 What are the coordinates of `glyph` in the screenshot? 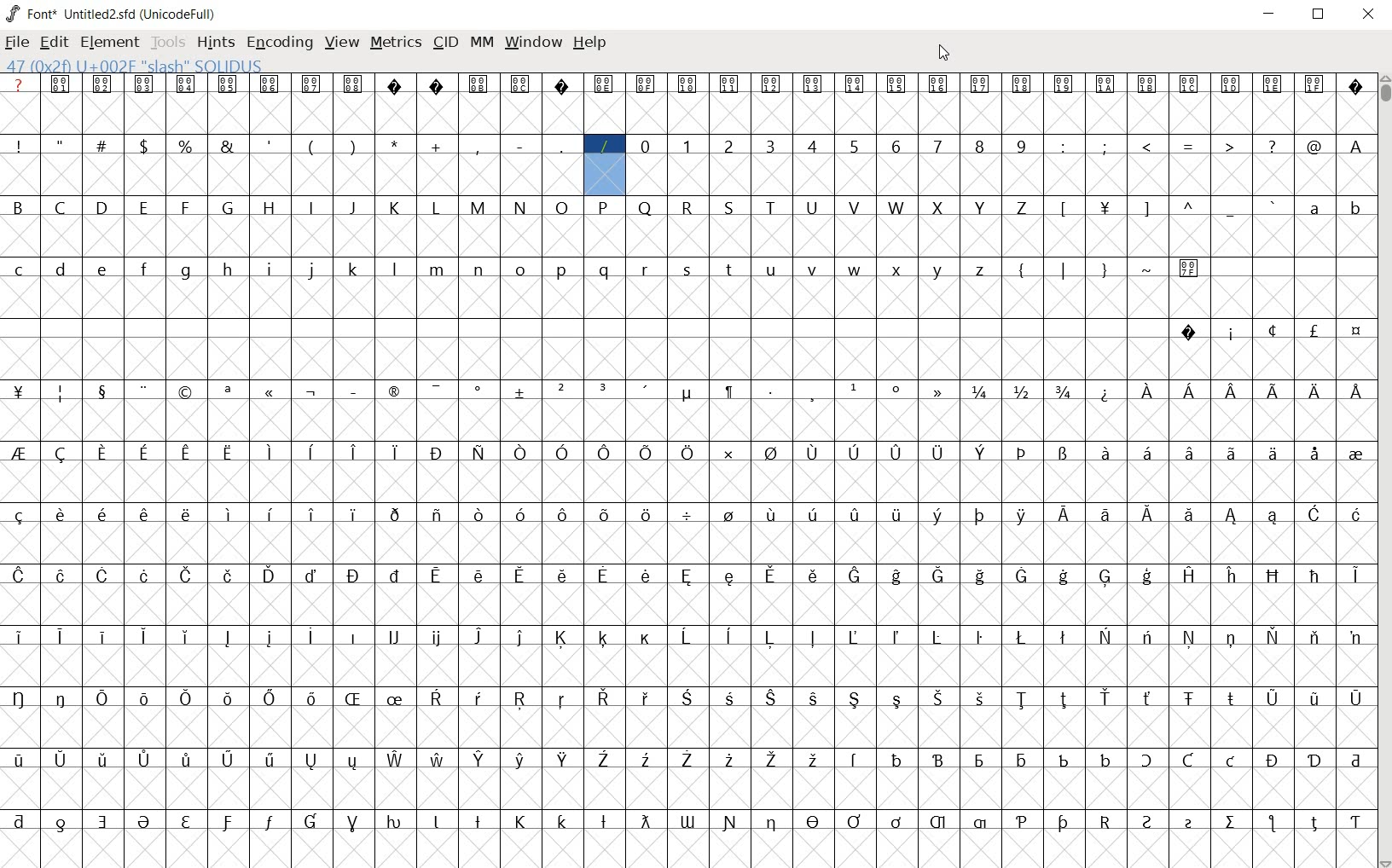 It's located at (938, 760).